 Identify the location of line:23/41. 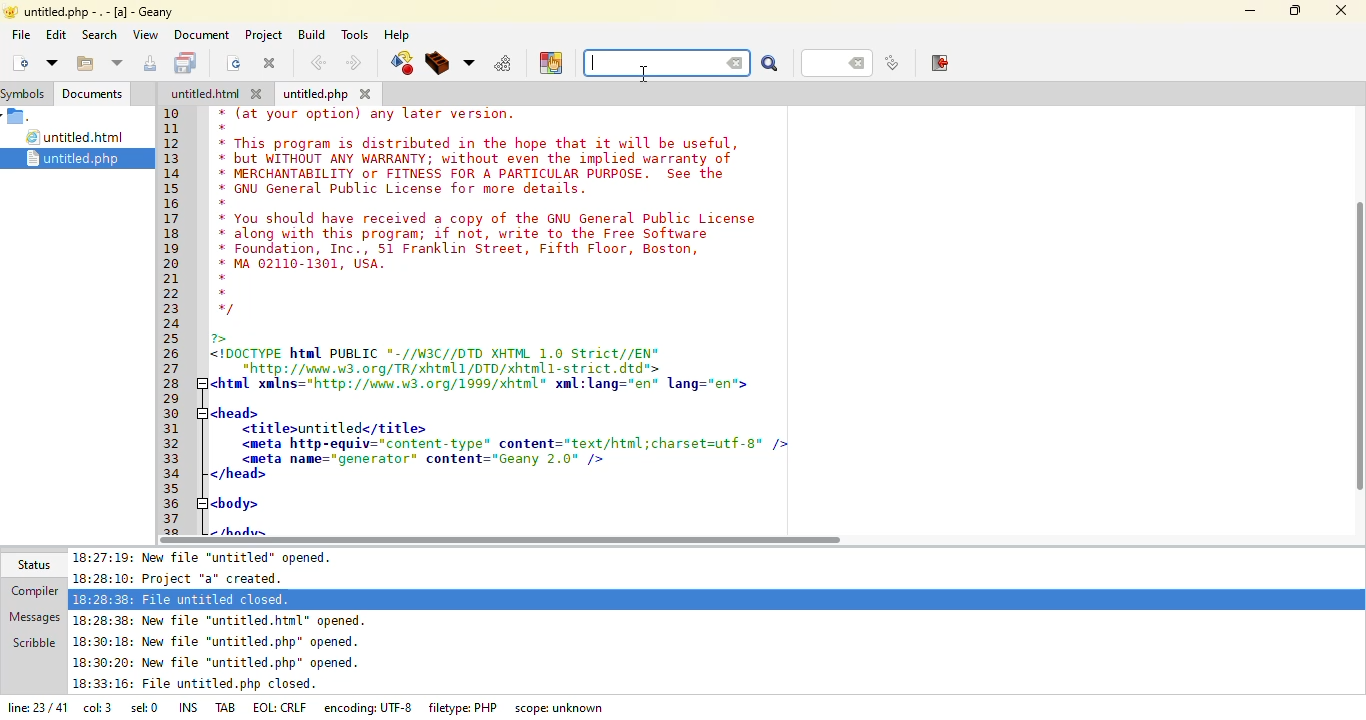
(35, 709).